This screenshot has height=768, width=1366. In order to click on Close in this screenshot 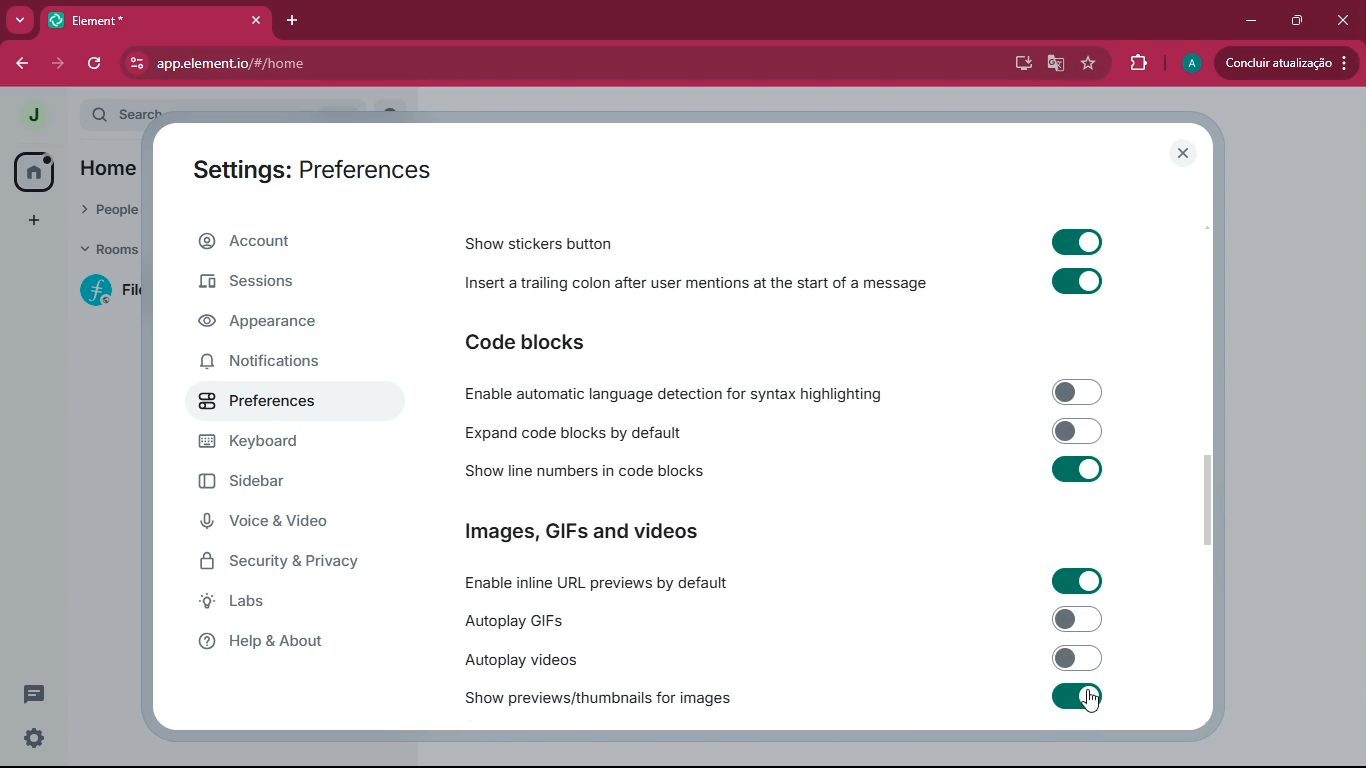, I will do `click(1344, 20)`.